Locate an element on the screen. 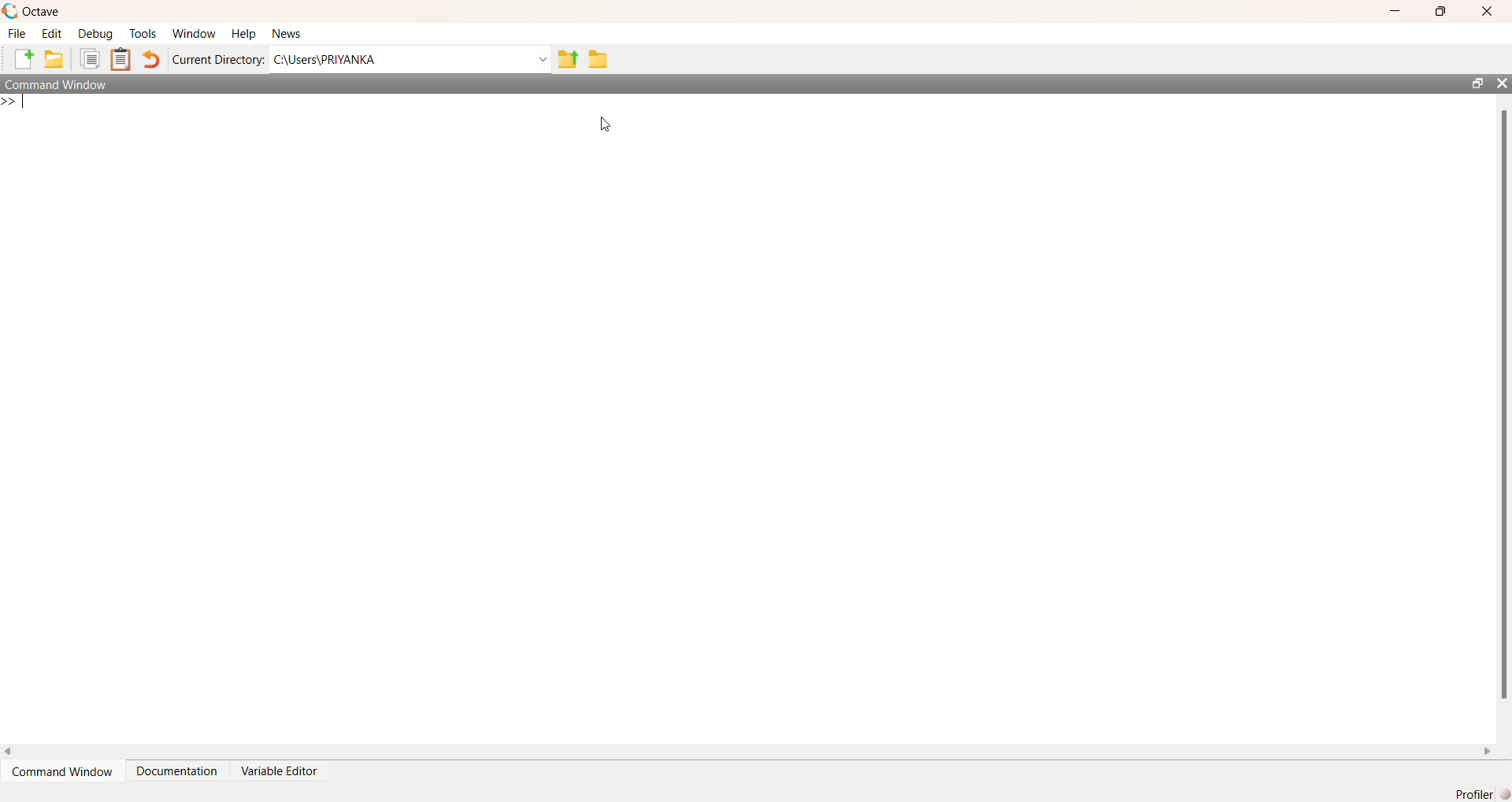  folder is located at coordinates (598, 59).